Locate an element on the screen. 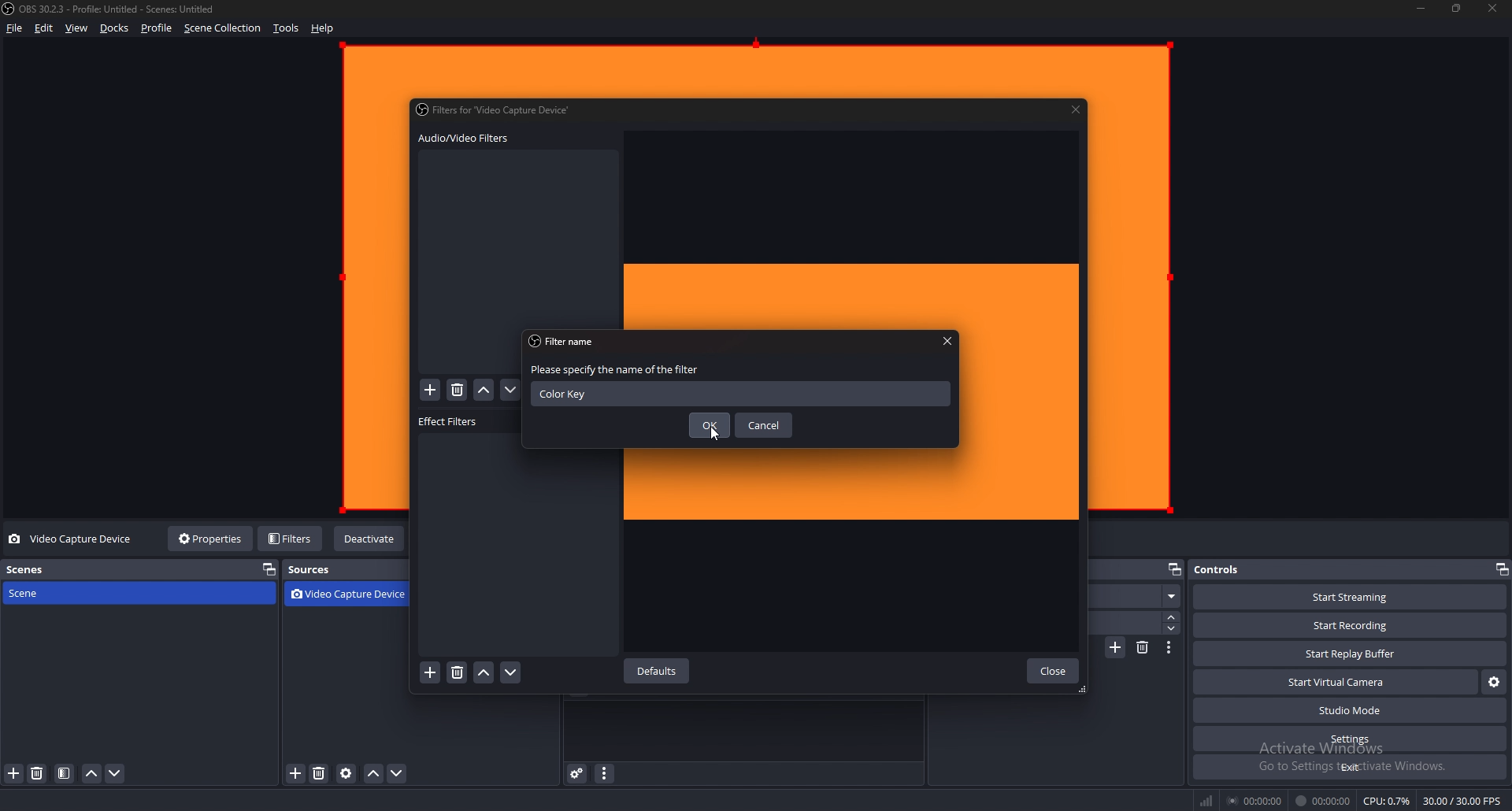 Image resolution: width=1512 pixels, height=811 pixels. docks is located at coordinates (115, 28).